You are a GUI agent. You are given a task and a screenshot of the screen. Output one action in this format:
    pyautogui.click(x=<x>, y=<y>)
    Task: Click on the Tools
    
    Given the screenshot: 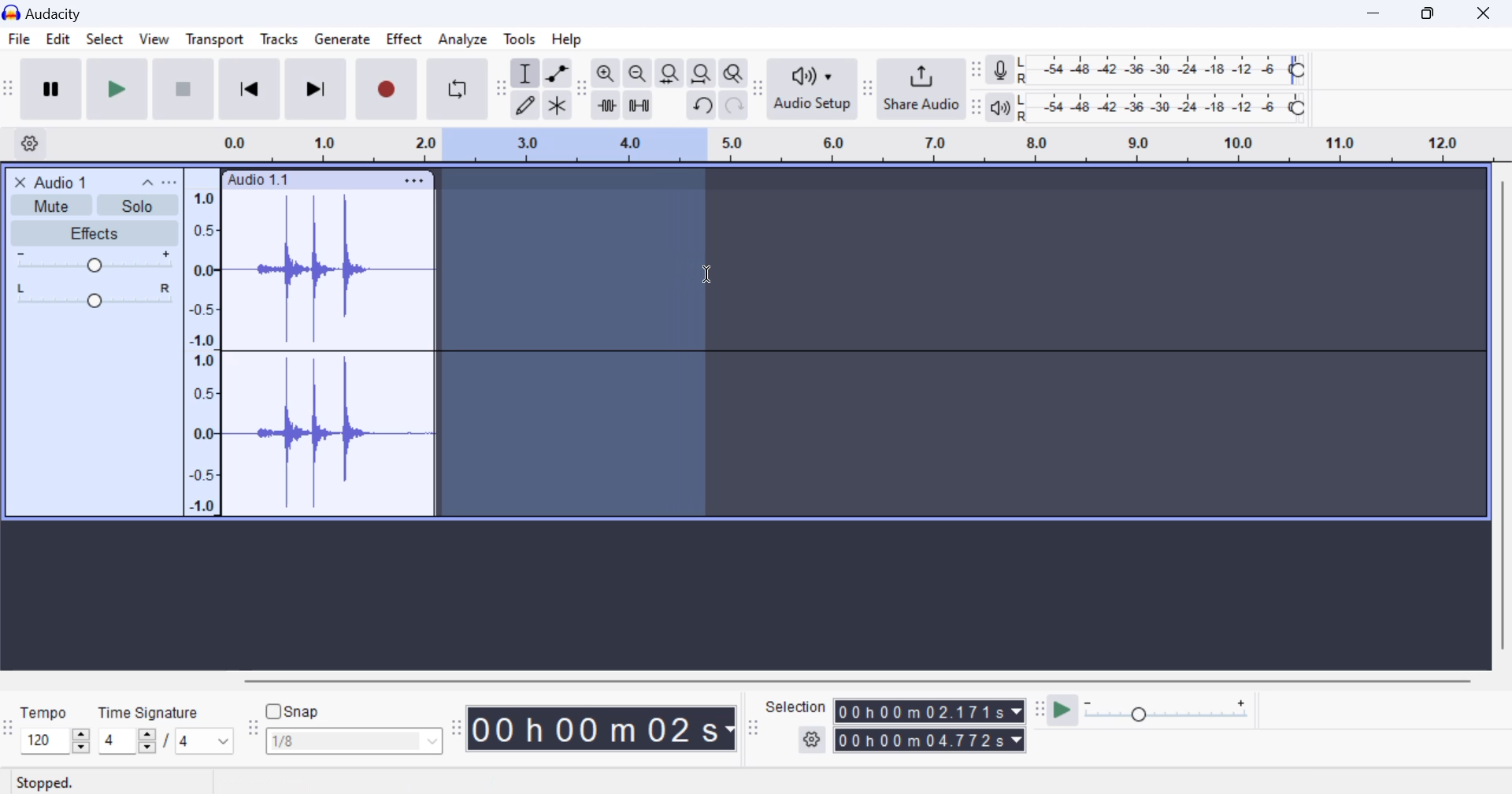 What is the action you would take?
    pyautogui.click(x=521, y=38)
    